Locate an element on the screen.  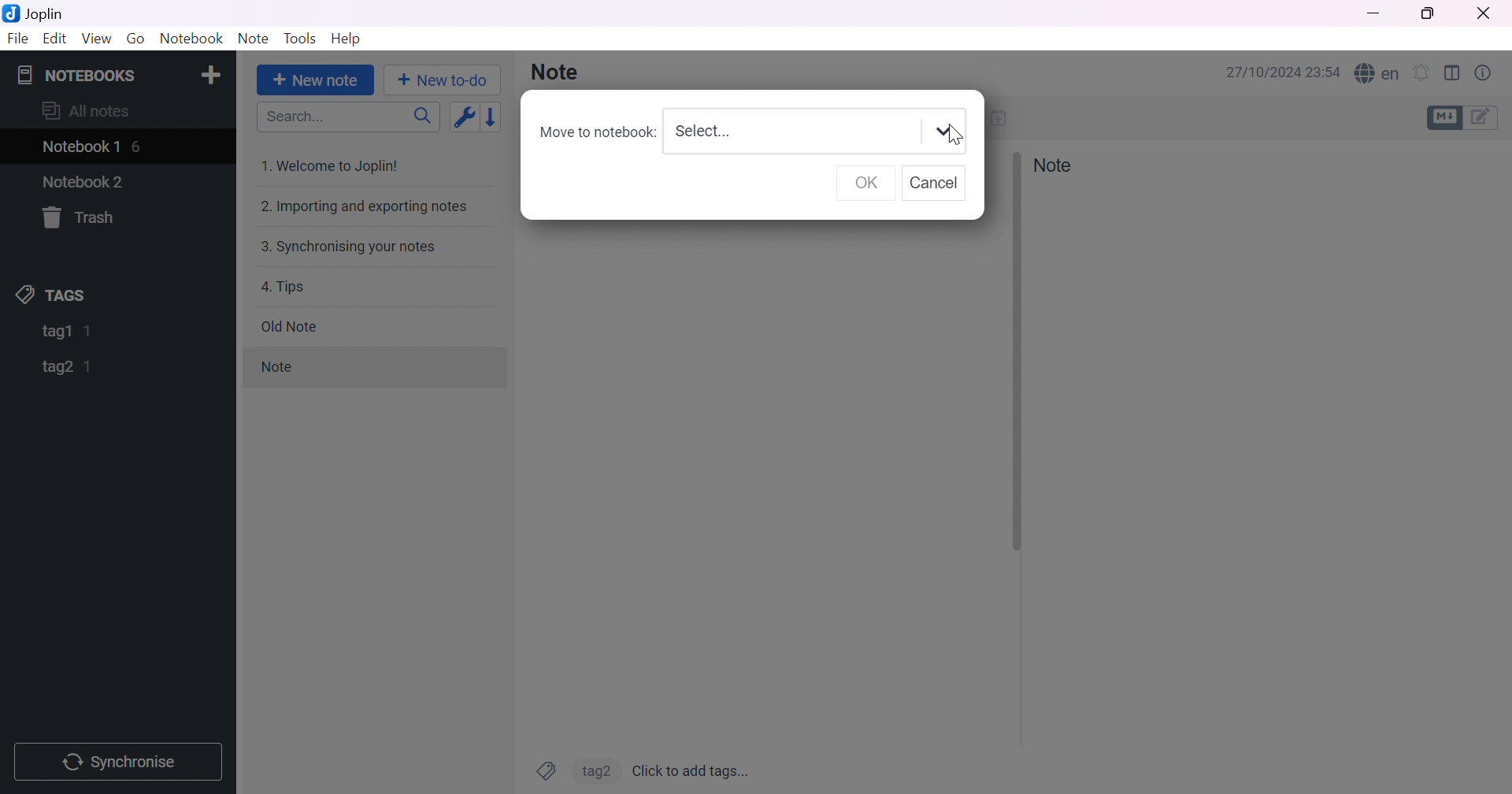
Search... is located at coordinates (291, 118).